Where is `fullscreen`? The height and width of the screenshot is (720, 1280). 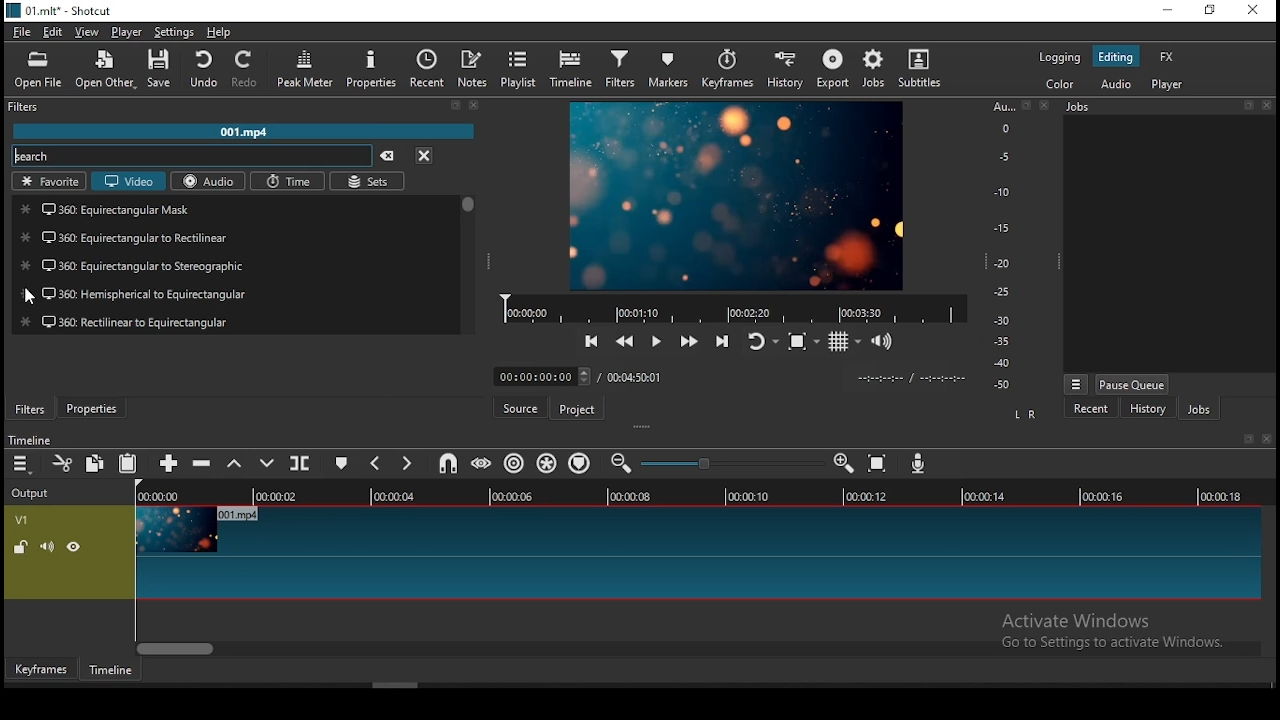 fullscreen is located at coordinates (1027, 107).